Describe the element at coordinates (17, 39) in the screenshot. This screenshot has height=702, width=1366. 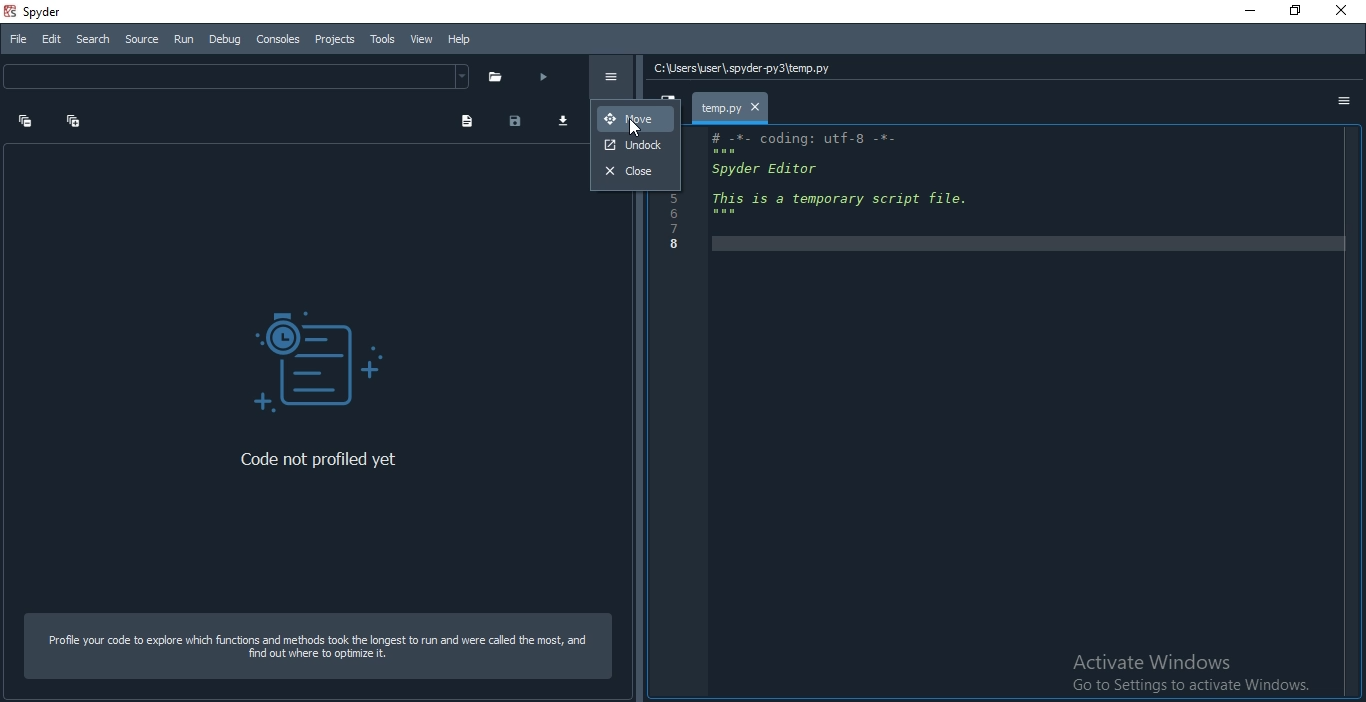
I see `File ` at that location.